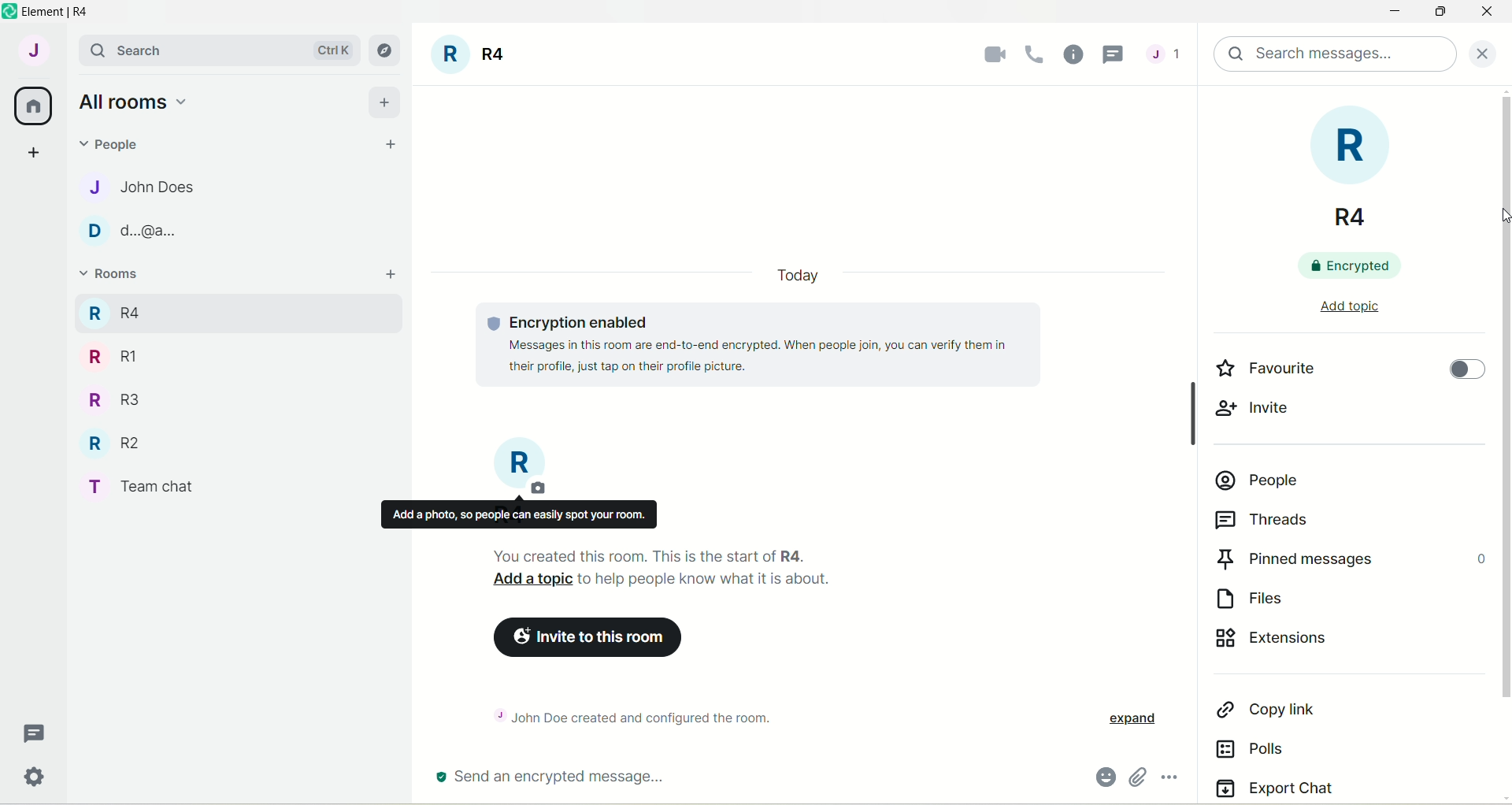  Describe the element at coordinates (991, 54) in the screenshot. I see `video call` at that location.